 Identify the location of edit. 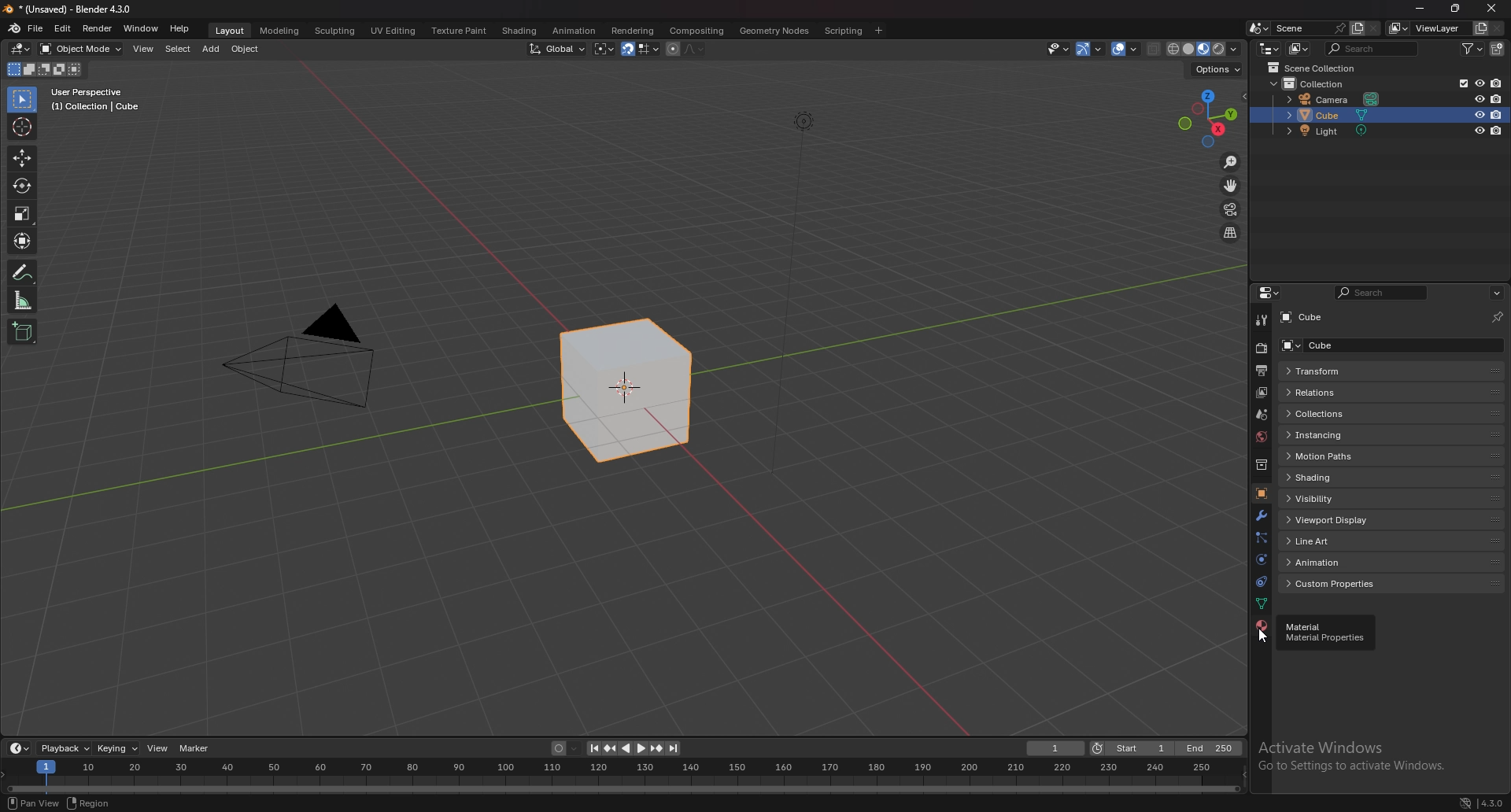
(65, 28).